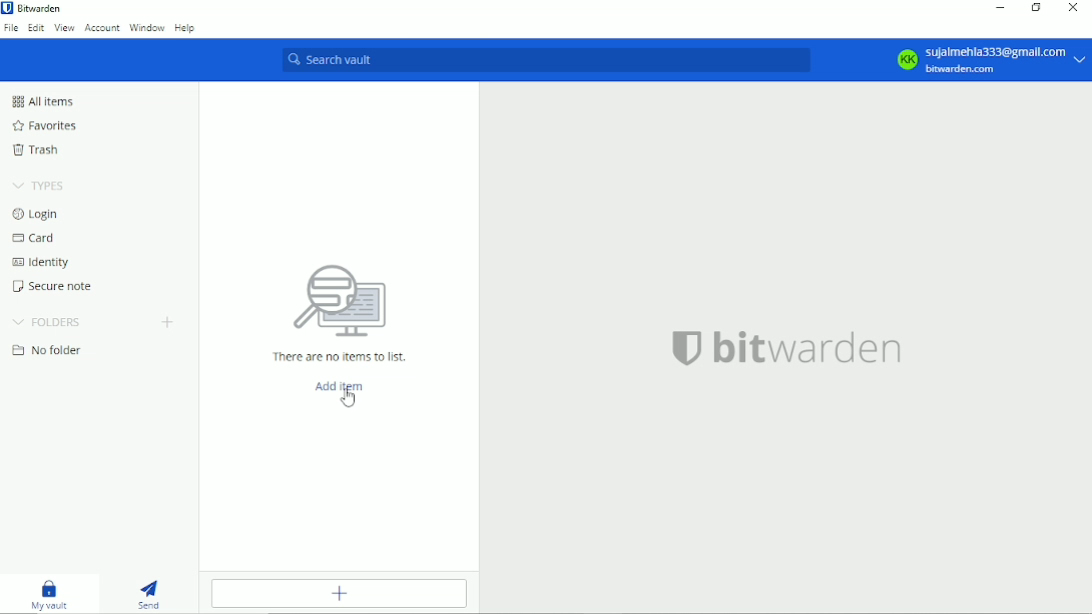 Image resolution: width=1092 pixels, height=614 pixels. Describe the element at coordinates (50, 320) in the screenshot. I see `Folders` at that location.